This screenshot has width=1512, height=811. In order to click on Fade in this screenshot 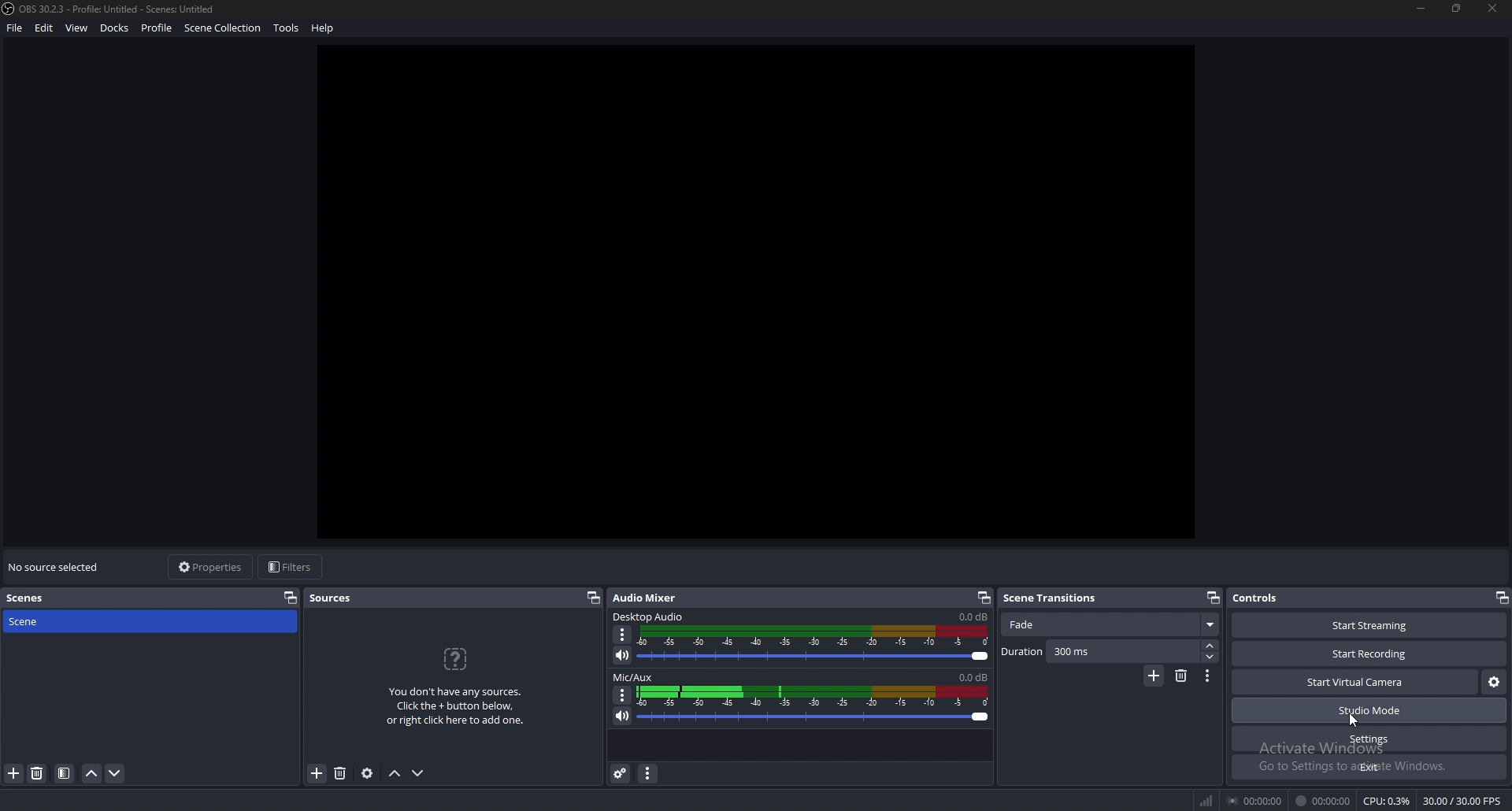, I will do `click(1112, 625)`.